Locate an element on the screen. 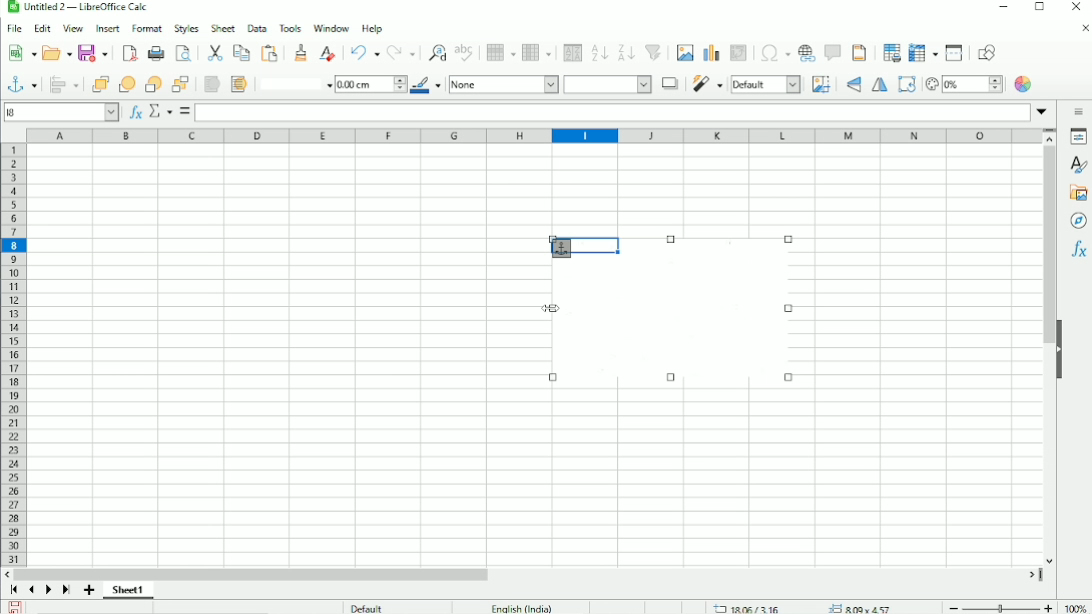 The image size is (1092, 614). Image mode is located at coordinates (766, 84).